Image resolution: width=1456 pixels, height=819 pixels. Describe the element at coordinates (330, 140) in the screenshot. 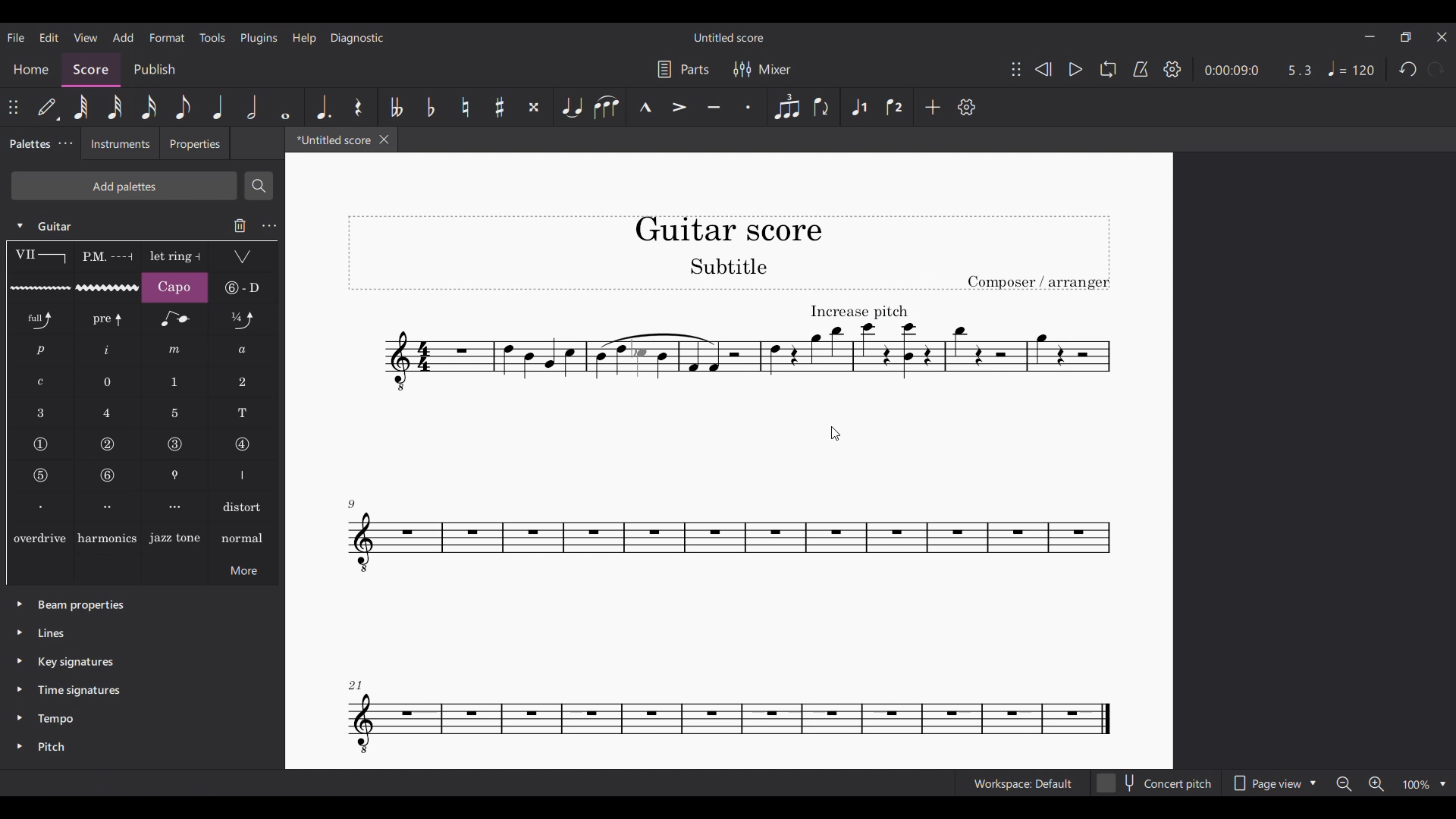

I see `Current tab` at that location.